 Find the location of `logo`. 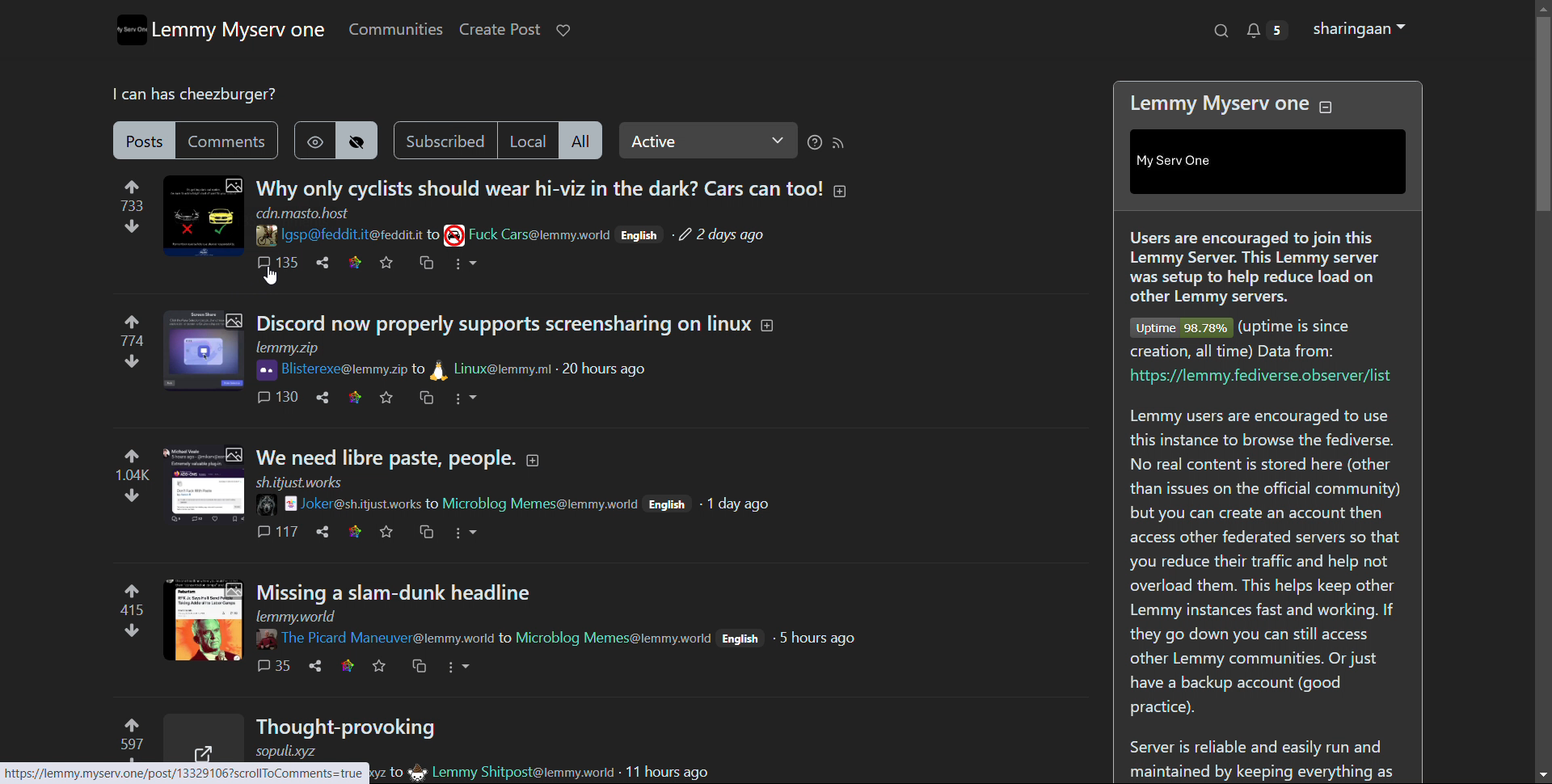

logo is located at coordinates (129, 30).